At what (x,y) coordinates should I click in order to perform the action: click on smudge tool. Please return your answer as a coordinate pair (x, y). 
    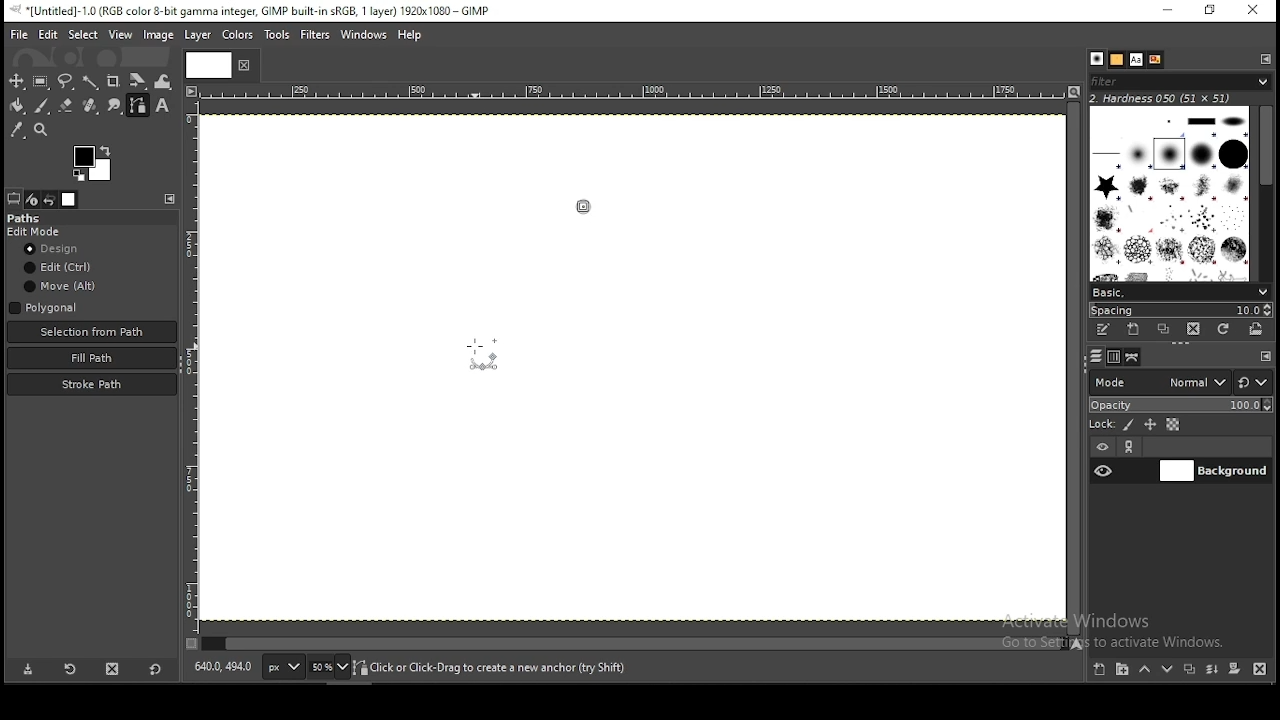
    Looking at the image, I should click on (115, 106).